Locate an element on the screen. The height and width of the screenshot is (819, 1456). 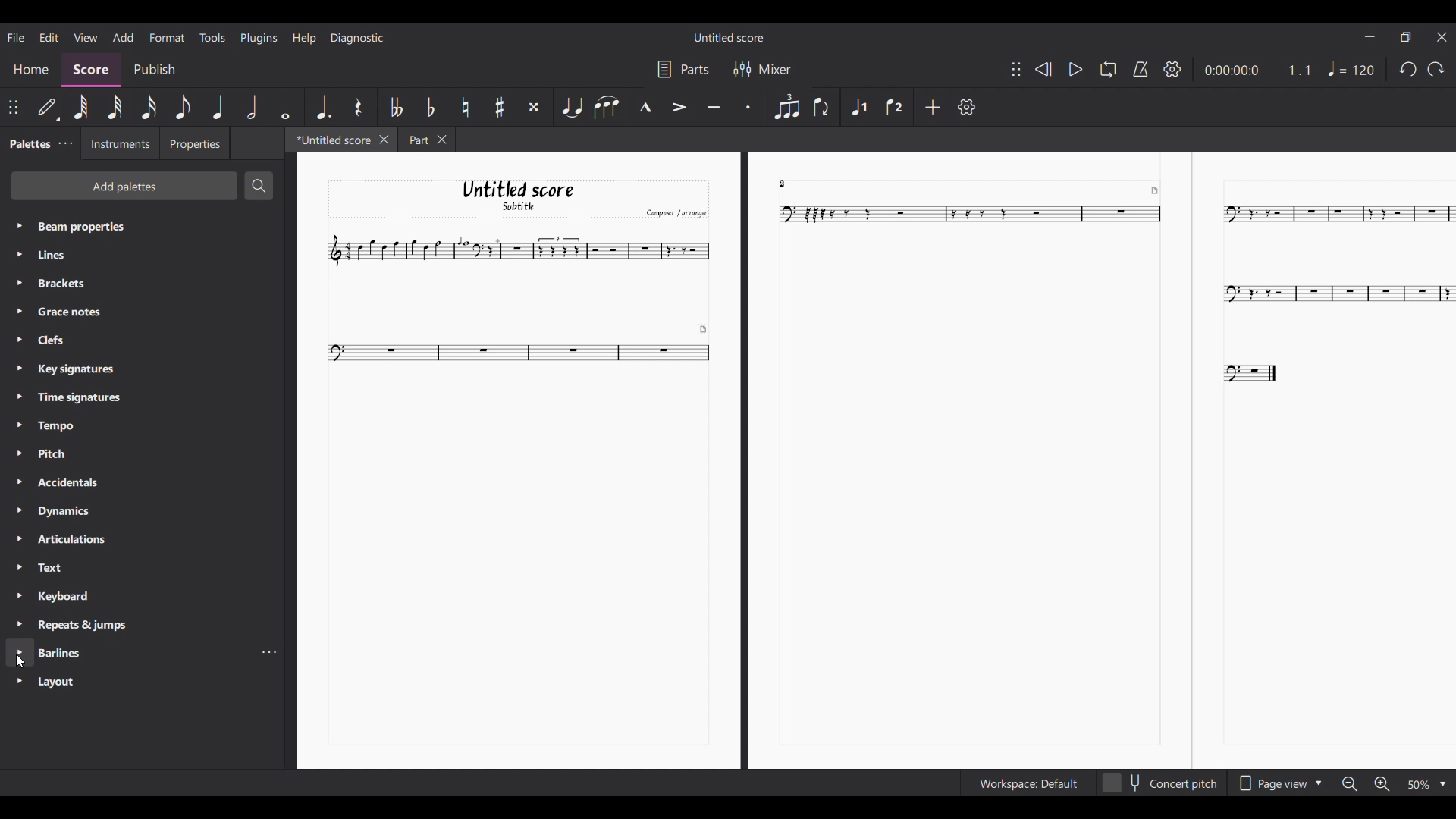
Change position is located at coordinates (1016, 69).